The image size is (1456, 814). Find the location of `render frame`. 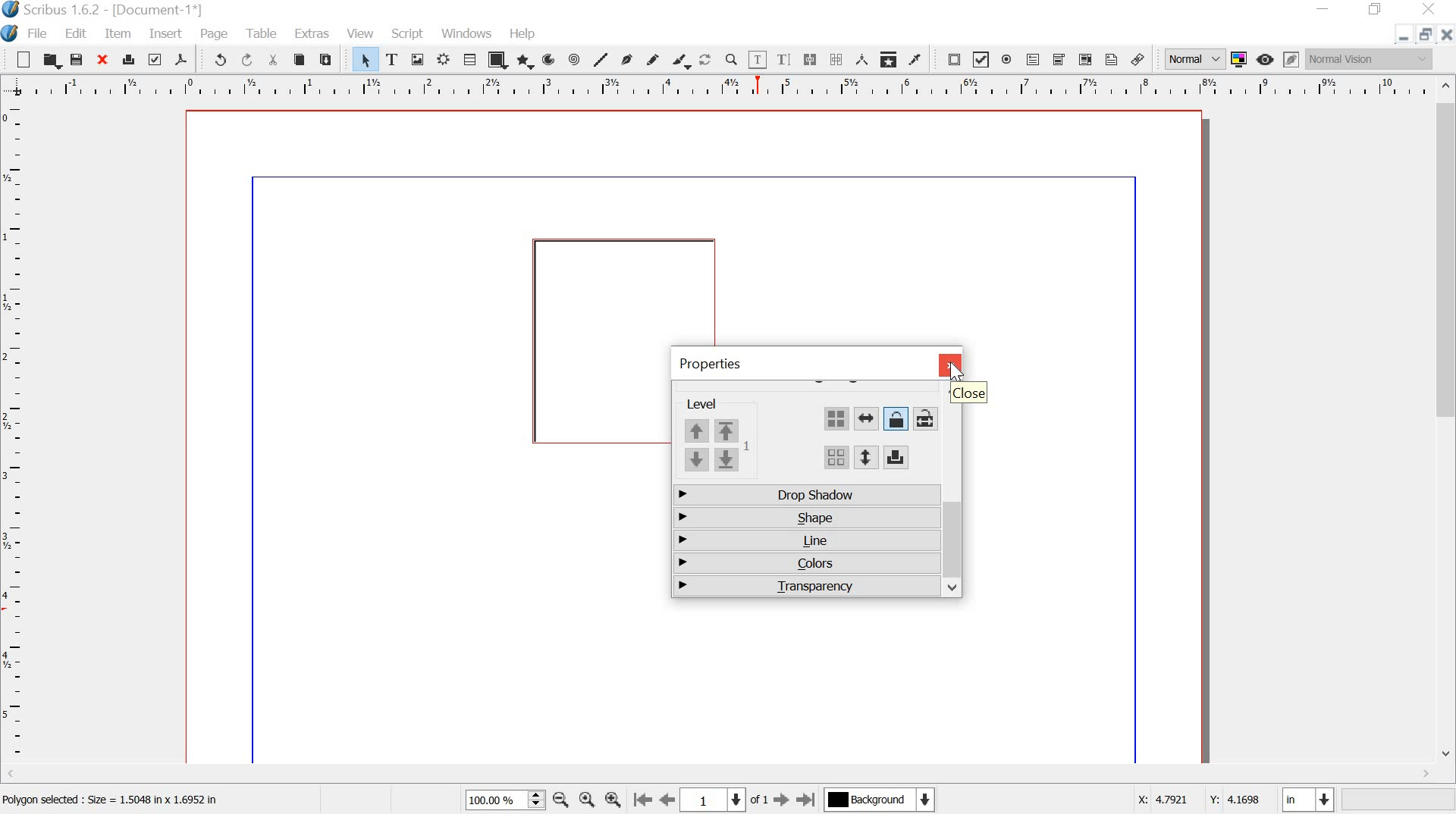

render frame is located at coordinates (443, 61).